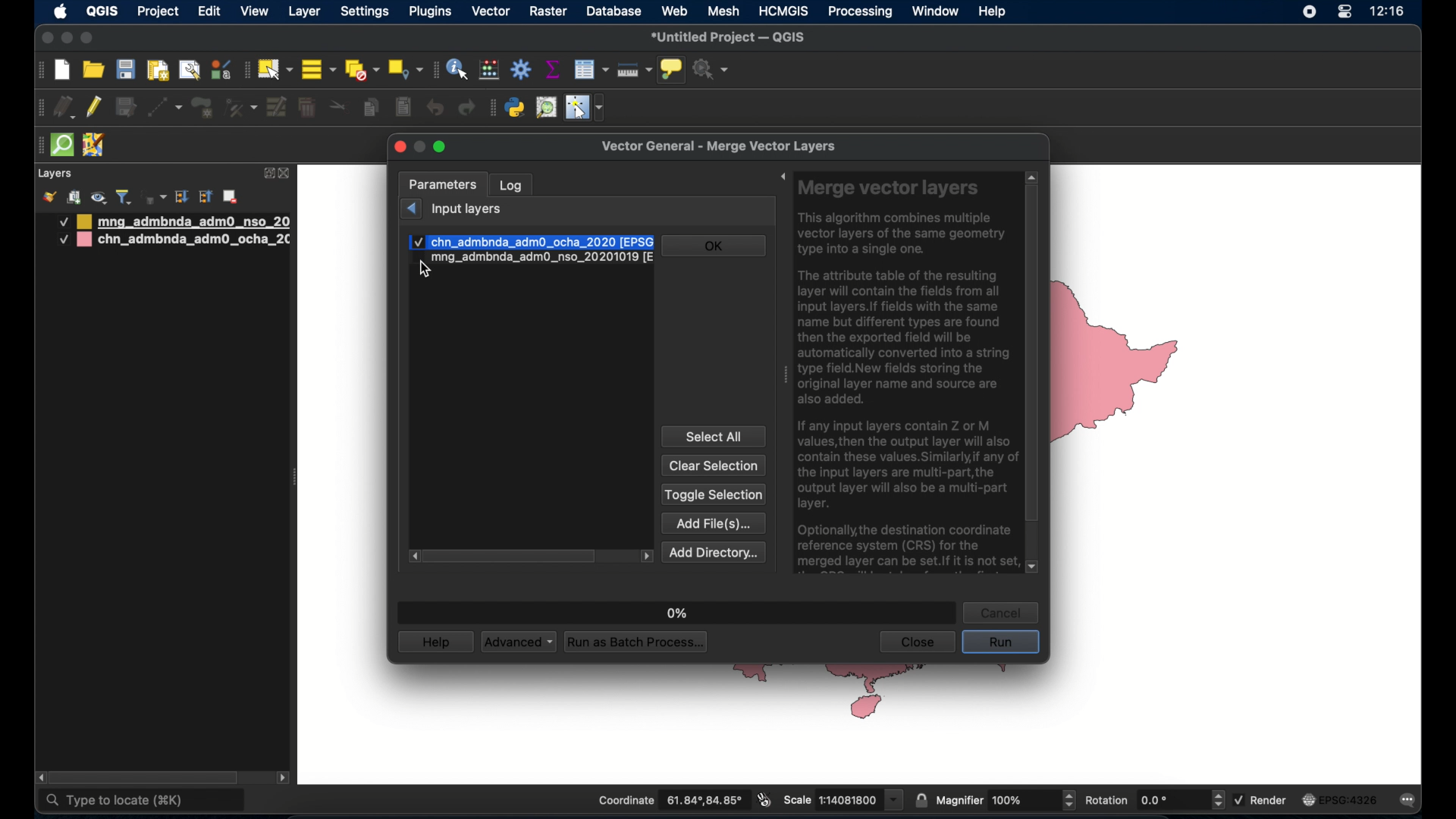  Describe the element at coordinates (993, 11) in the screenshot. I see `help` at that location.